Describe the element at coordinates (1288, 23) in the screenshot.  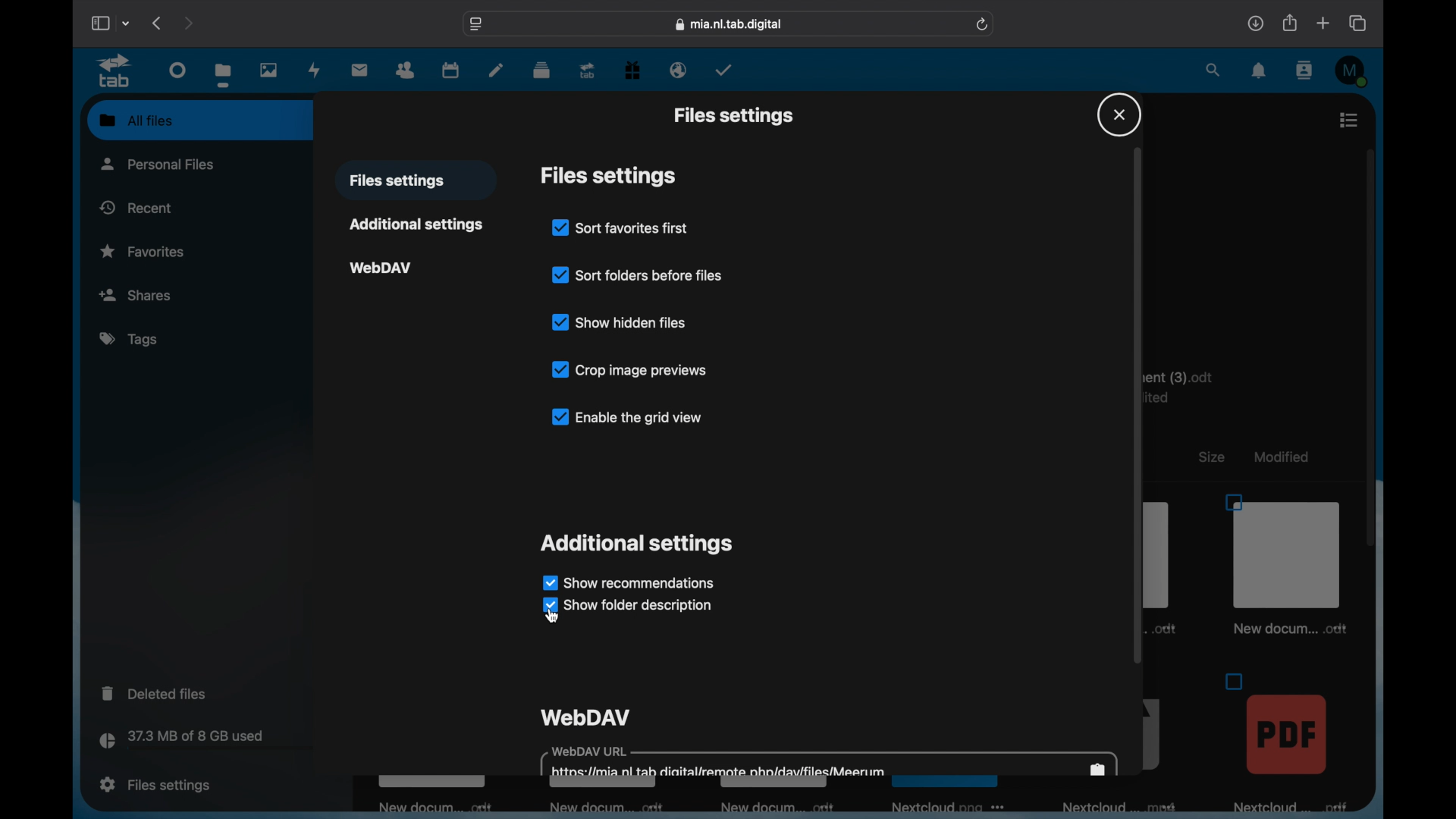
I see `share` at that location.